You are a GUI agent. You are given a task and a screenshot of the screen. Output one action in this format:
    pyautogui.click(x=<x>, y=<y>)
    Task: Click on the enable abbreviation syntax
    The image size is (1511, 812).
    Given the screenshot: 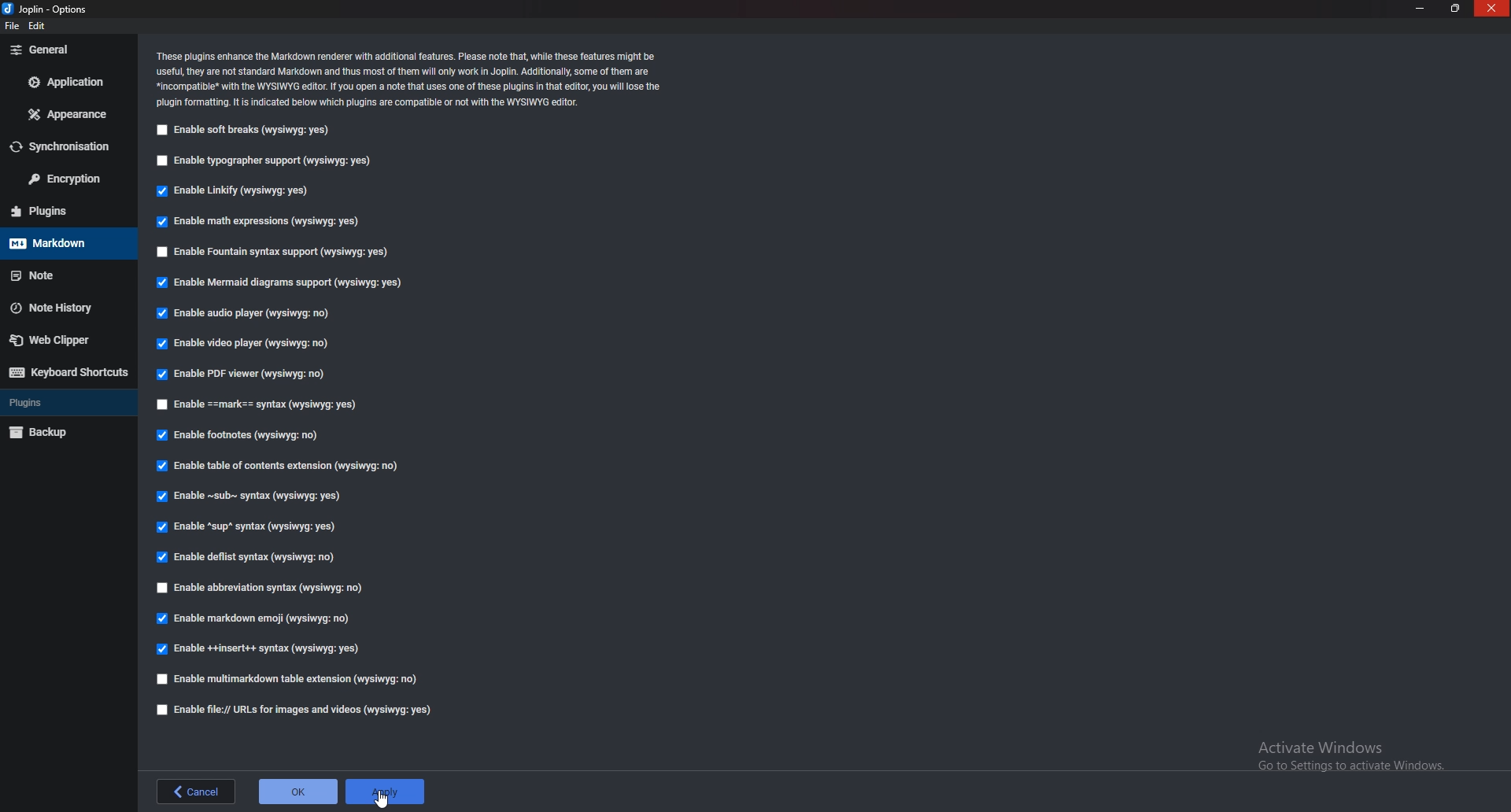 What is the action you would take?
    pyautogui.click(x=262, y=589)
    